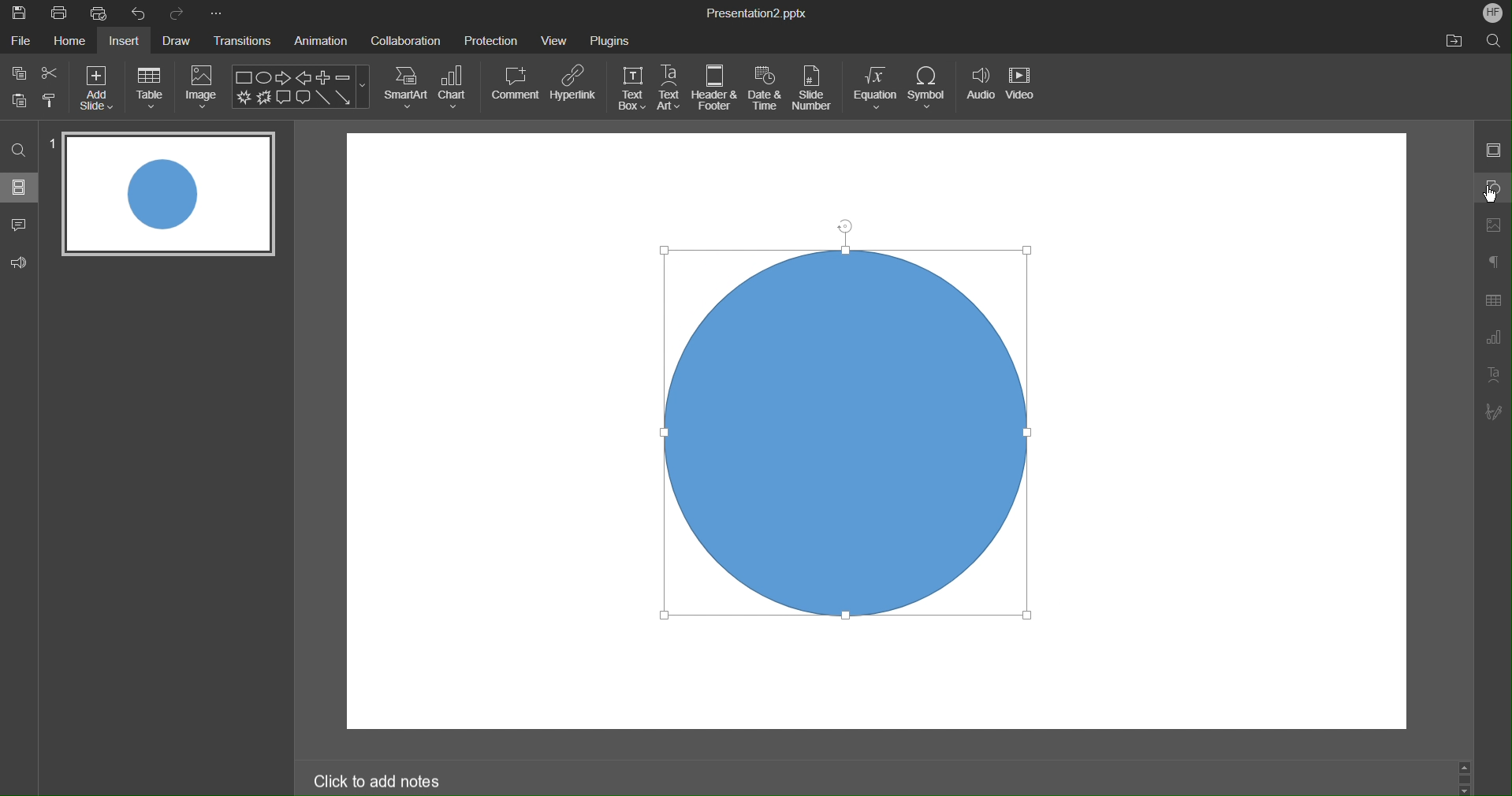 This screenshot has width=1512, height=796. What do you see at coordinates (815, 89) in the screenshot?
I see `Slide Number` at bounding box center [815, 89].